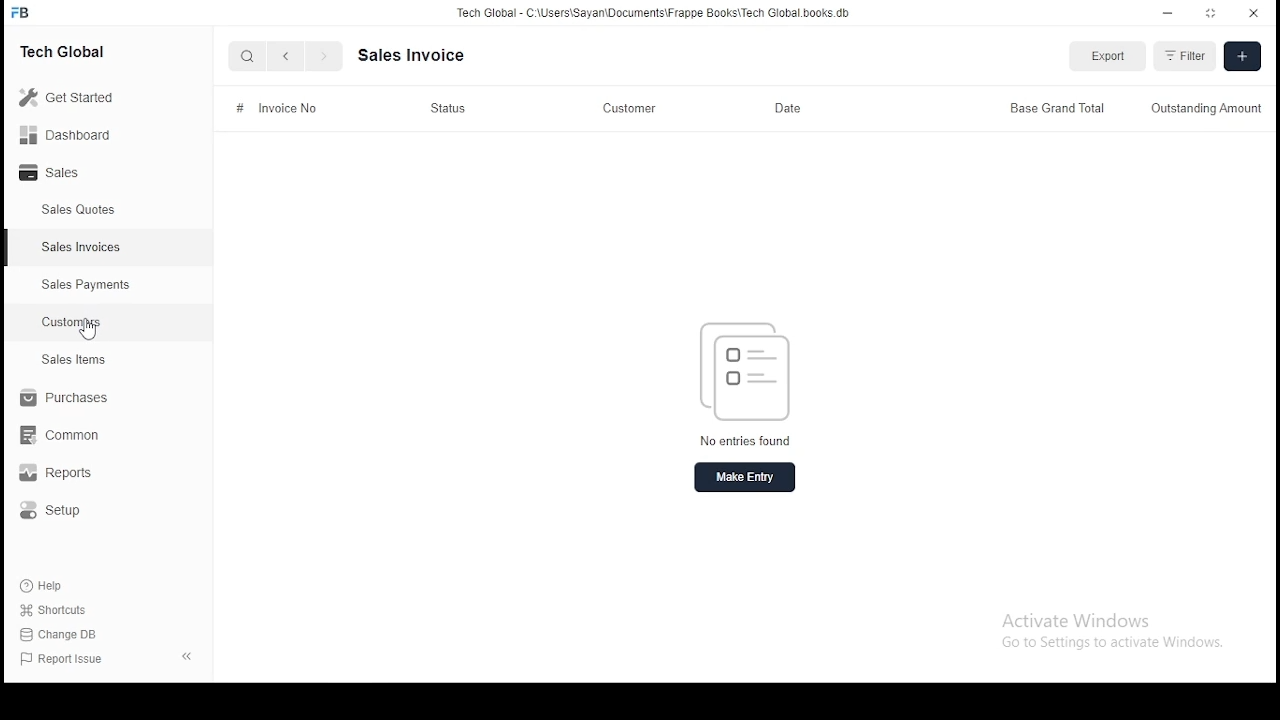 This screenshot has width=1280, height=720. What do you see at coordinates (189, 656) in the screenshot?
I see `close pane` at bounding box center [189, 656].